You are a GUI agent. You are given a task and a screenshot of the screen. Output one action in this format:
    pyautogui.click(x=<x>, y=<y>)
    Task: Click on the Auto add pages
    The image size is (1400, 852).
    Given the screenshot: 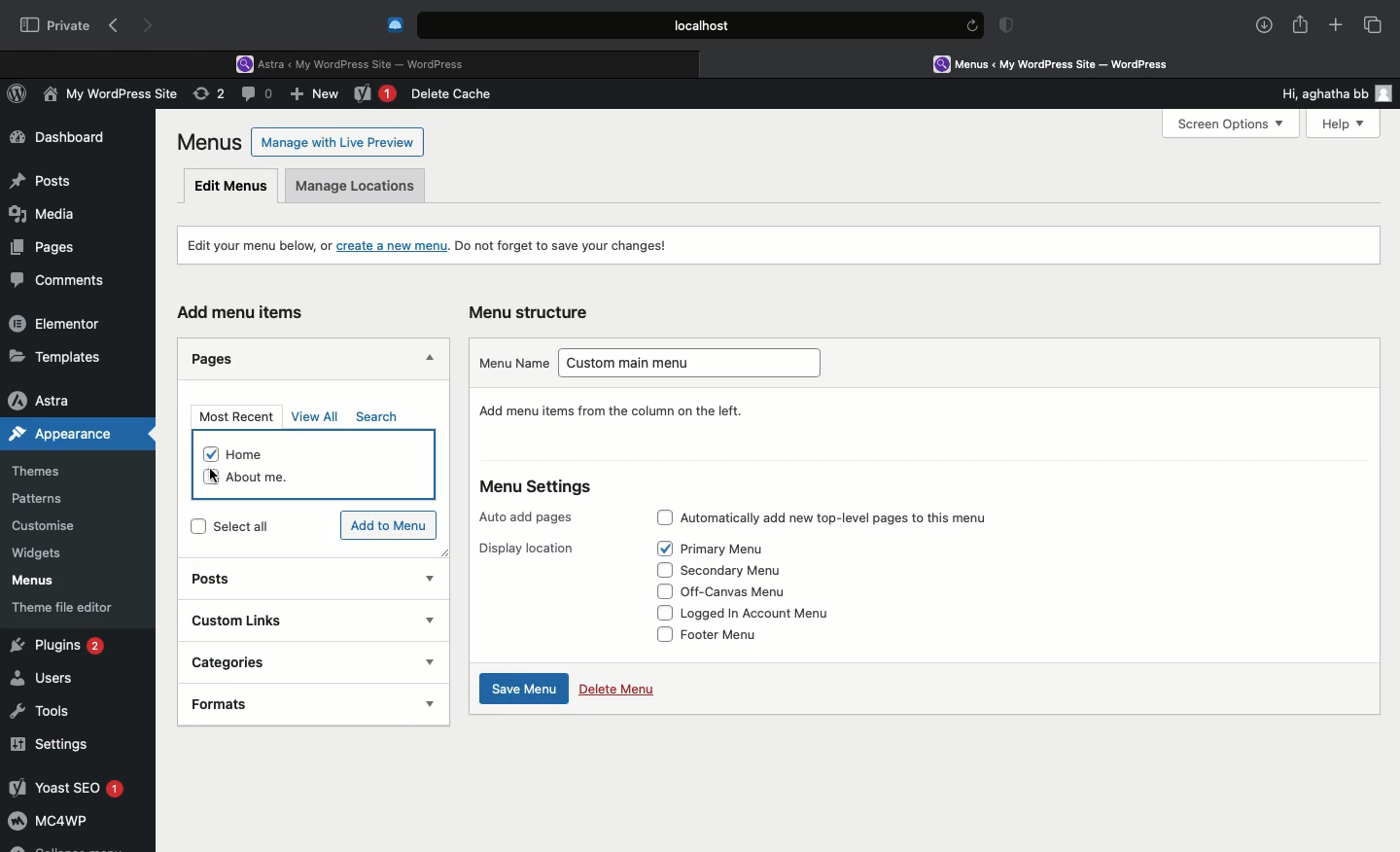 What is the action you would take?
    pyautogui.click(x=530, y=513)
    